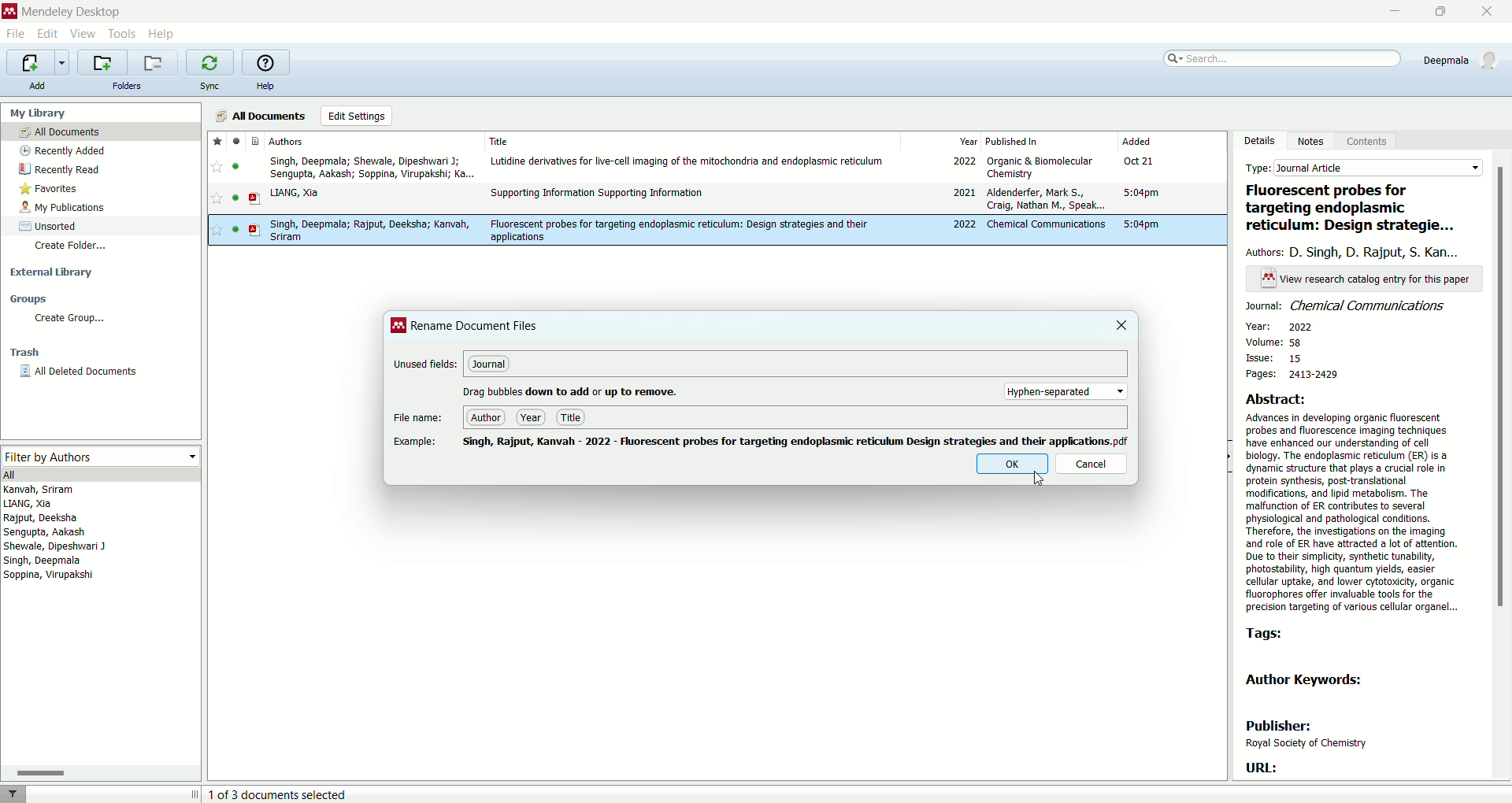 This screenshot has height=803, width=1512. Describe the element at coordinates (680, 230) in the screenshot. I see `Fluorescent probes for targeting endoplasmic reticulum: Design strategies and their applications` at that location.